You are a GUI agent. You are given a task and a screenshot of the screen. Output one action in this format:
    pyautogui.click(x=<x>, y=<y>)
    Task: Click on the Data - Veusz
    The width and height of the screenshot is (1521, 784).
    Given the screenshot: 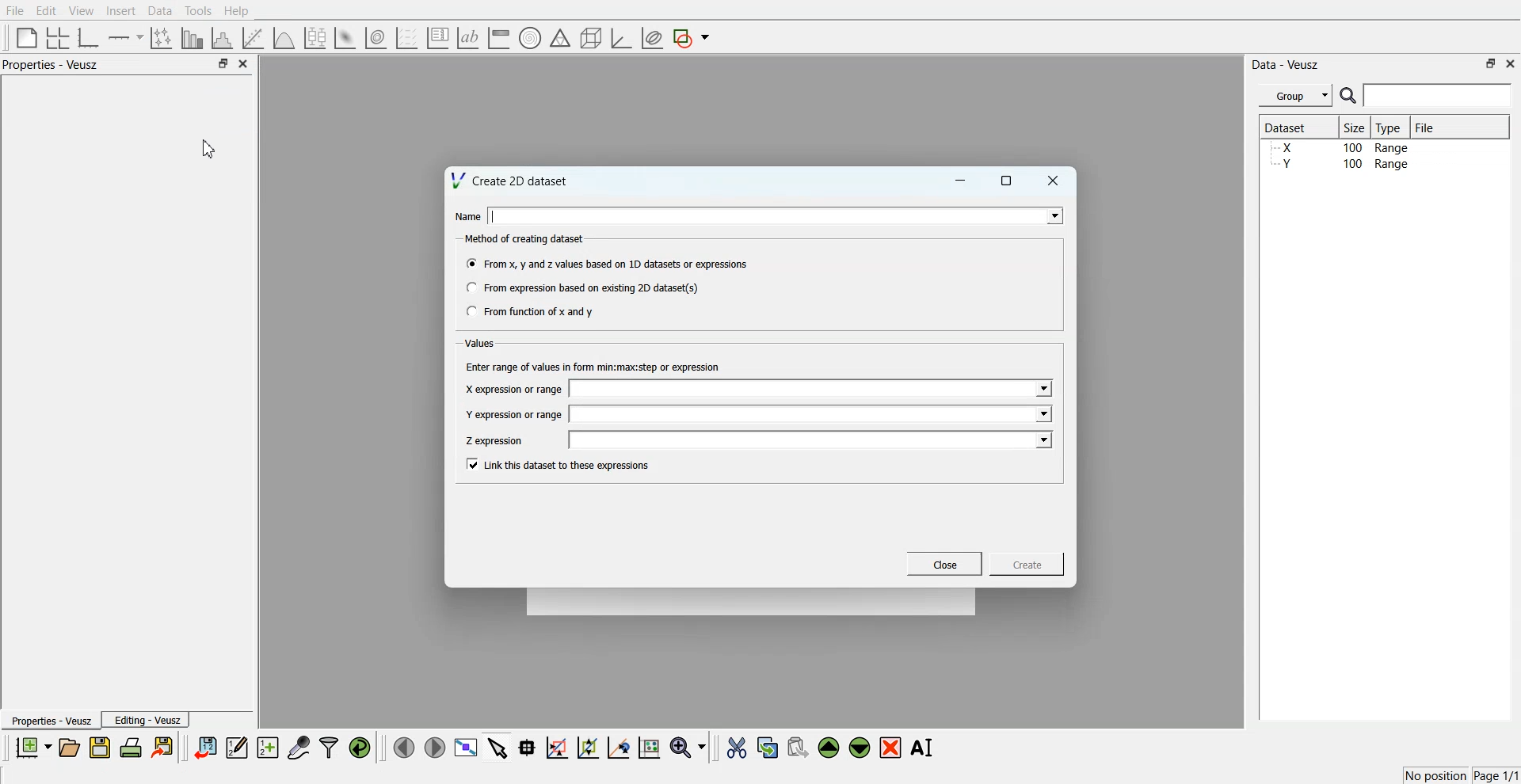 What is the action you would take?
    pyautogui.click(x=1285, y=65)
    